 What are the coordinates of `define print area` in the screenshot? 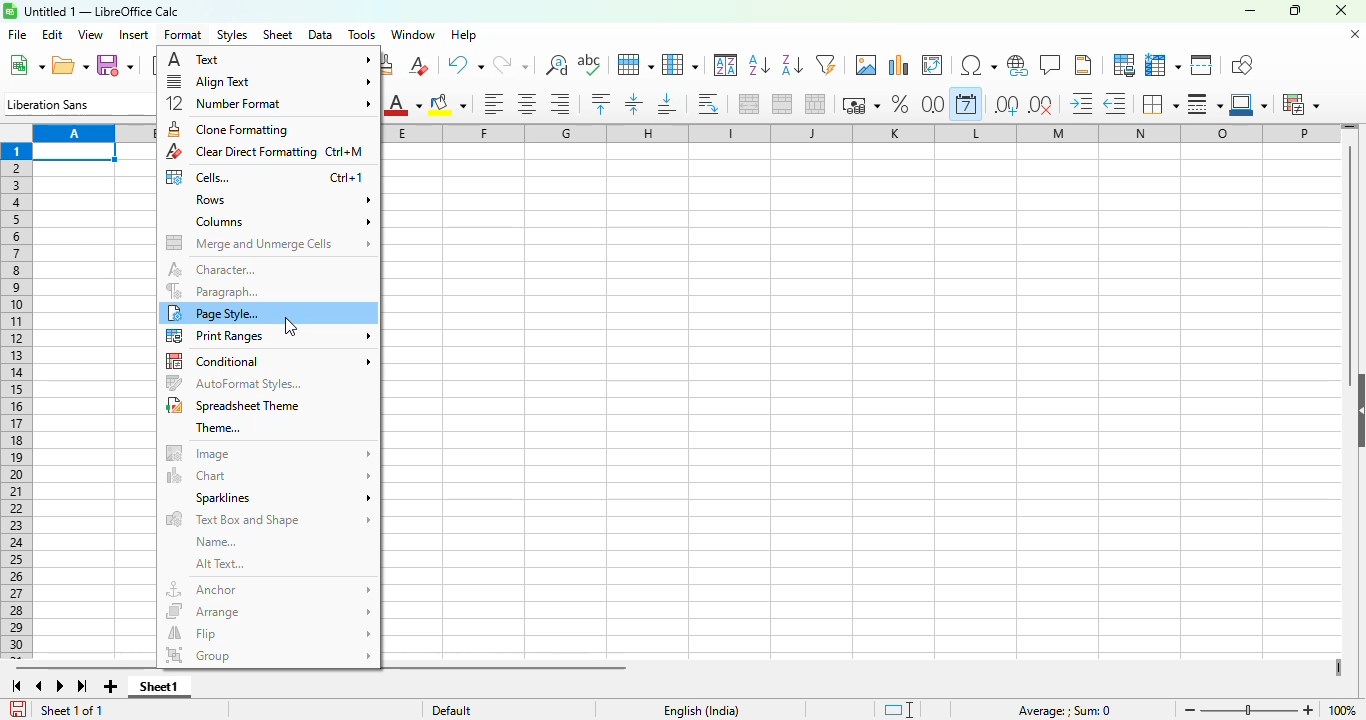 It's located at (1124, 65).